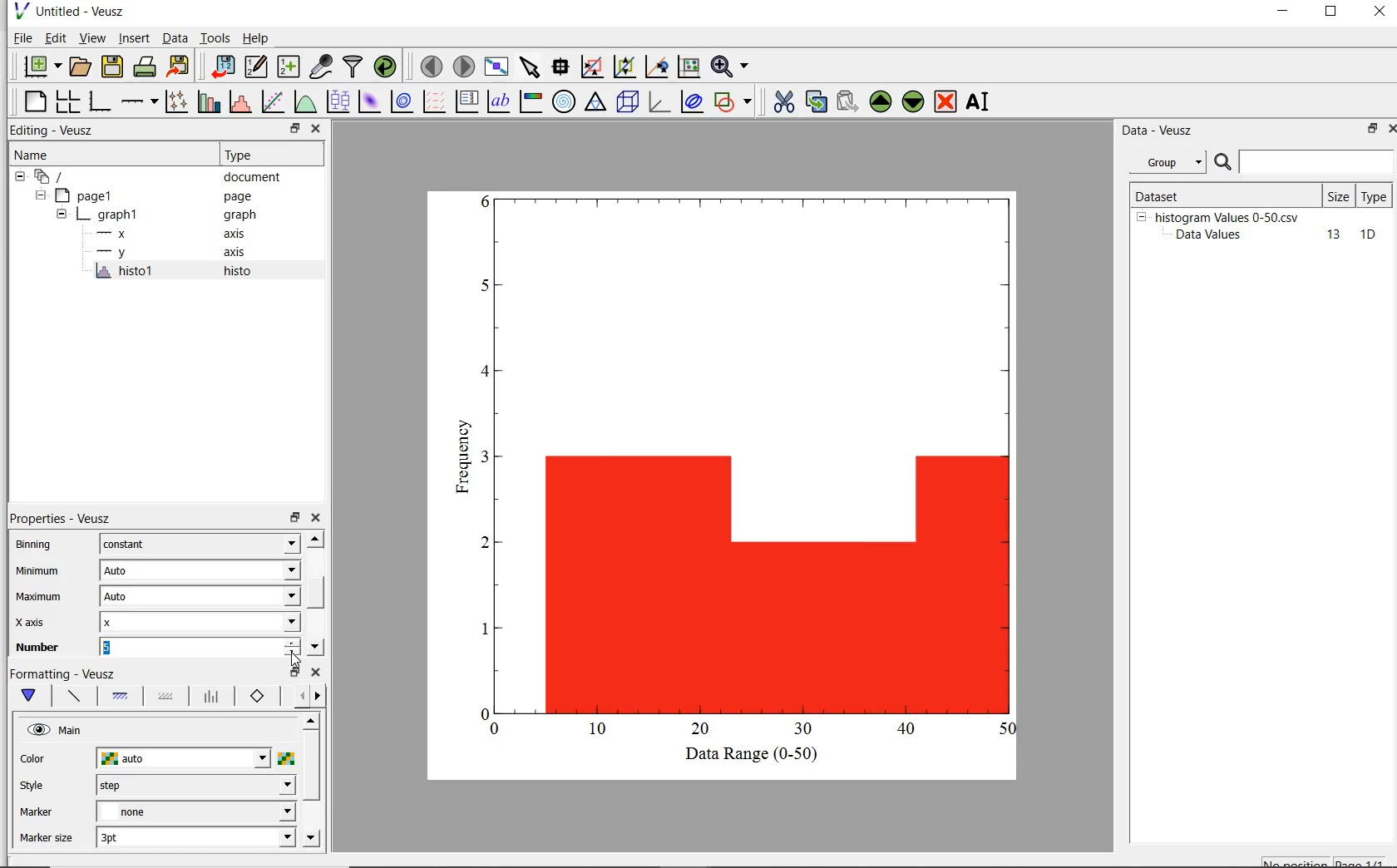  Describe the element at coordinates (436, 101) in the screenshot. I see `plot a vector field` at that location.